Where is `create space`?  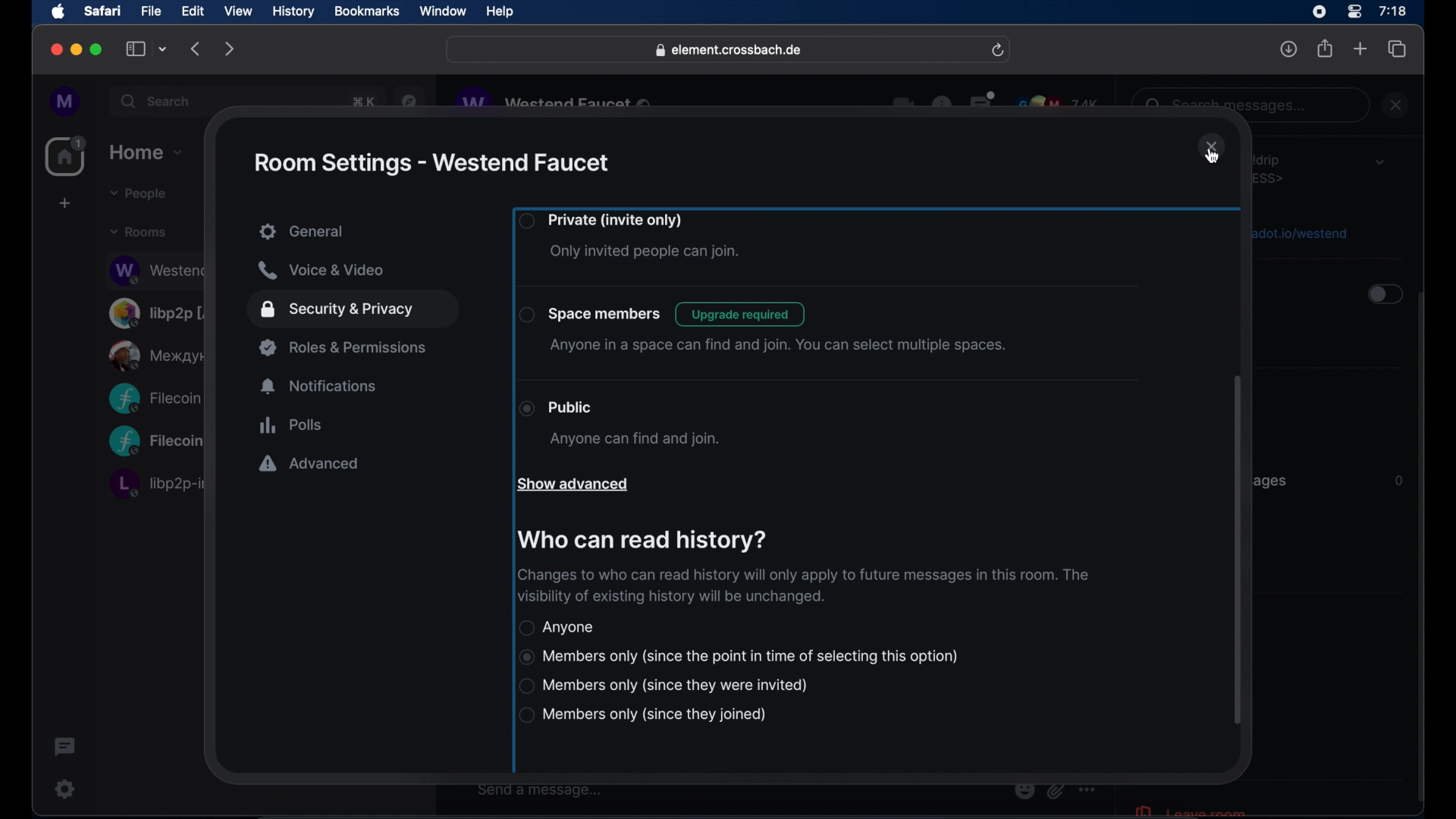
create space is located at coordinates (64, 203).